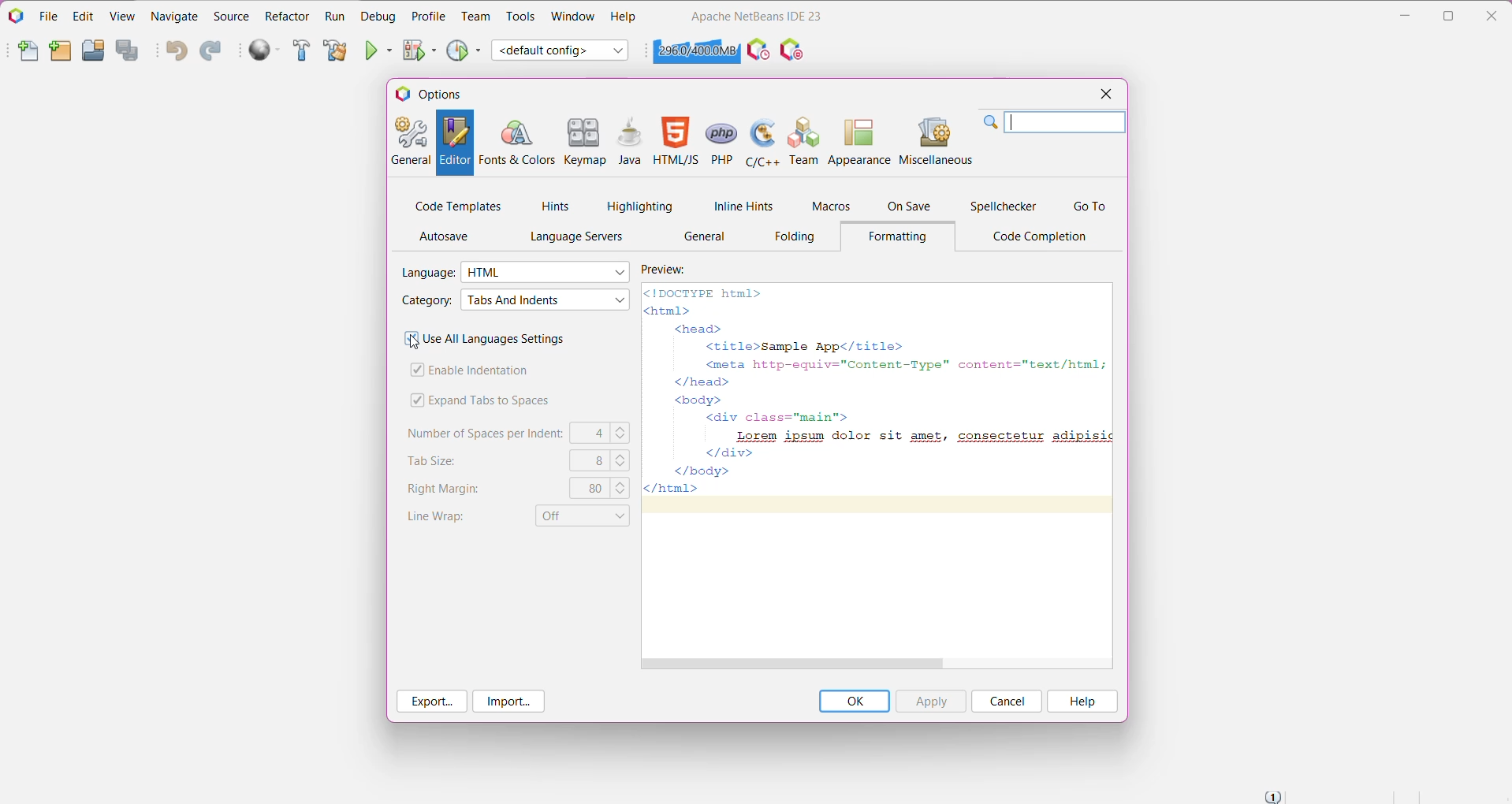 The height and width of the screenshot is (804, 1512). I want to click on Source, so click(231, 17).